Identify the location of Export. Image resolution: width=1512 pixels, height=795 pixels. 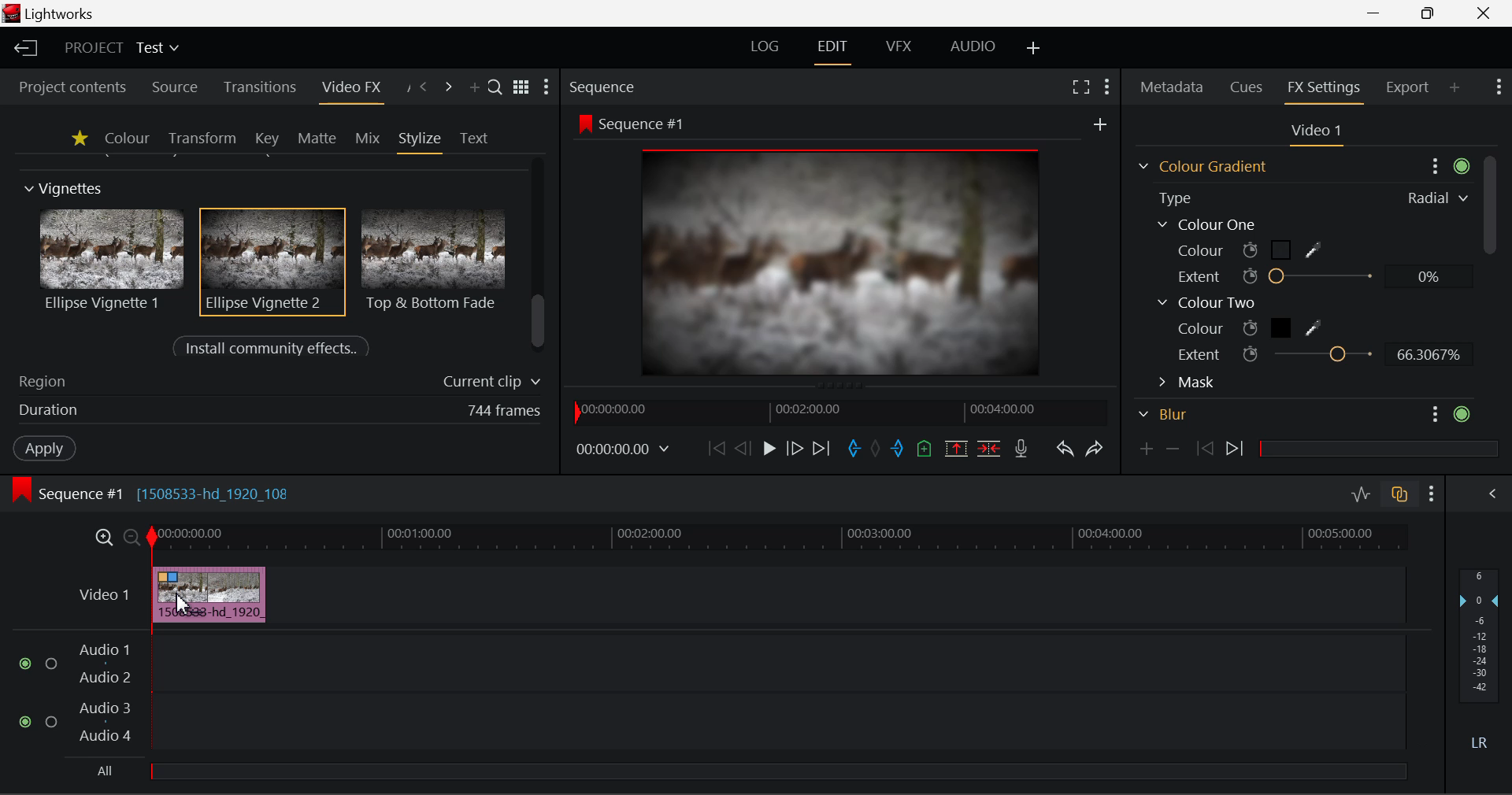
(1407, 84).